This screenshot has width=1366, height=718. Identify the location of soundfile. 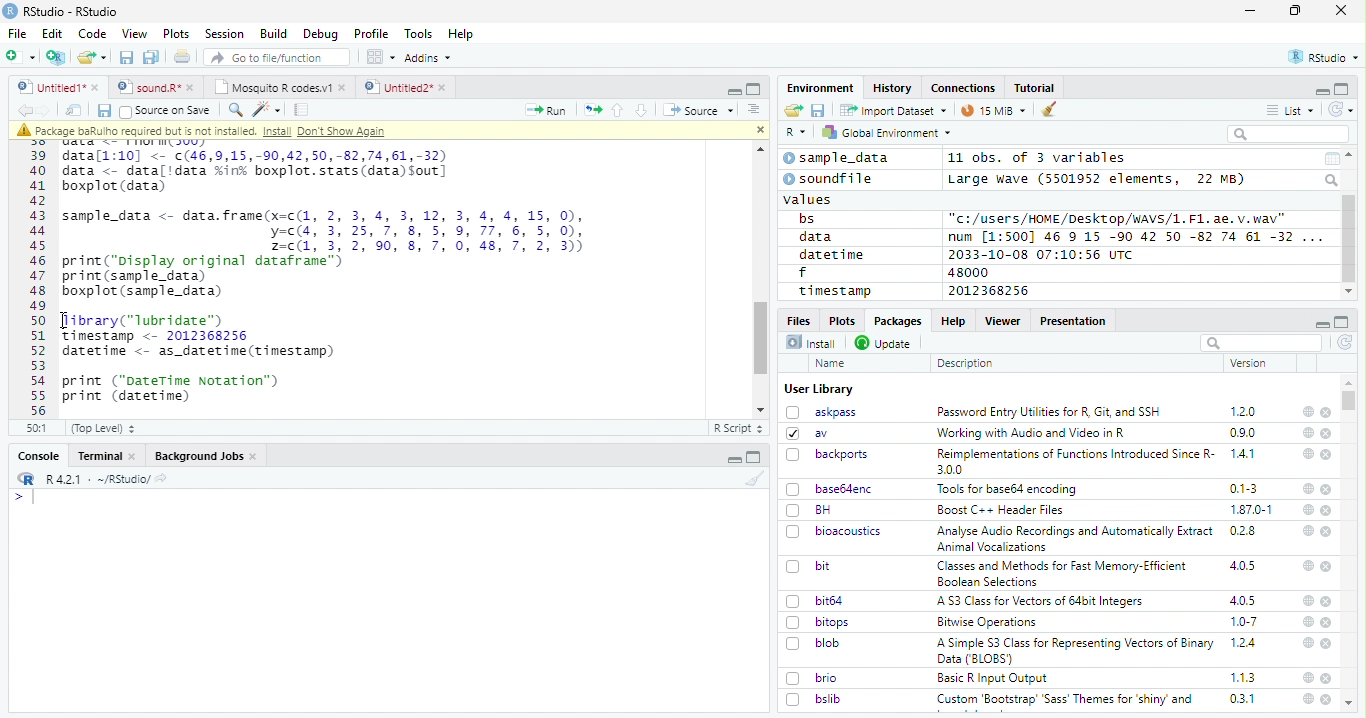
(829, 179).